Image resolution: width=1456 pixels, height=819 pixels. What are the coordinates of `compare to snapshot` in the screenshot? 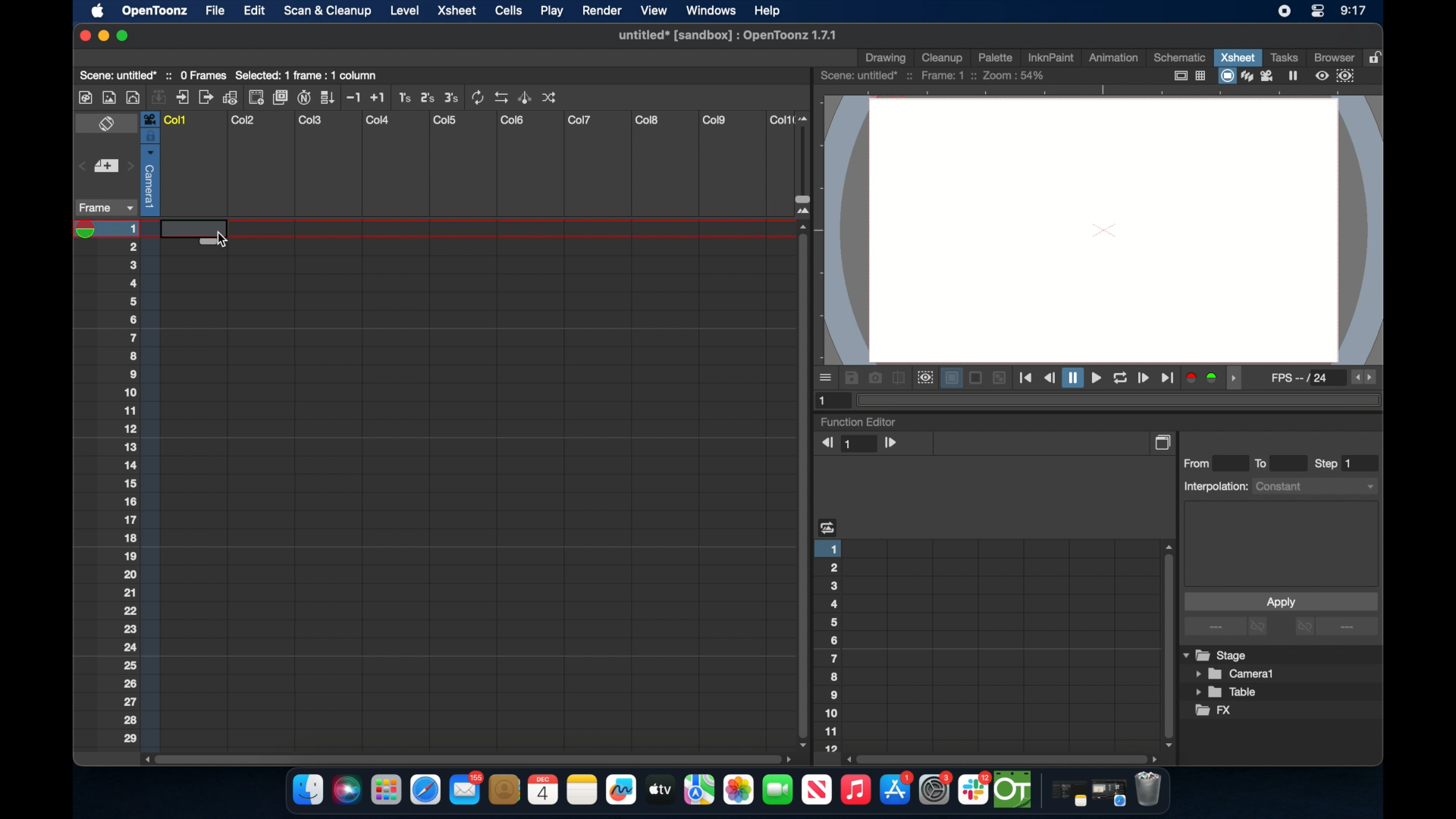 It's located at (899, 378).